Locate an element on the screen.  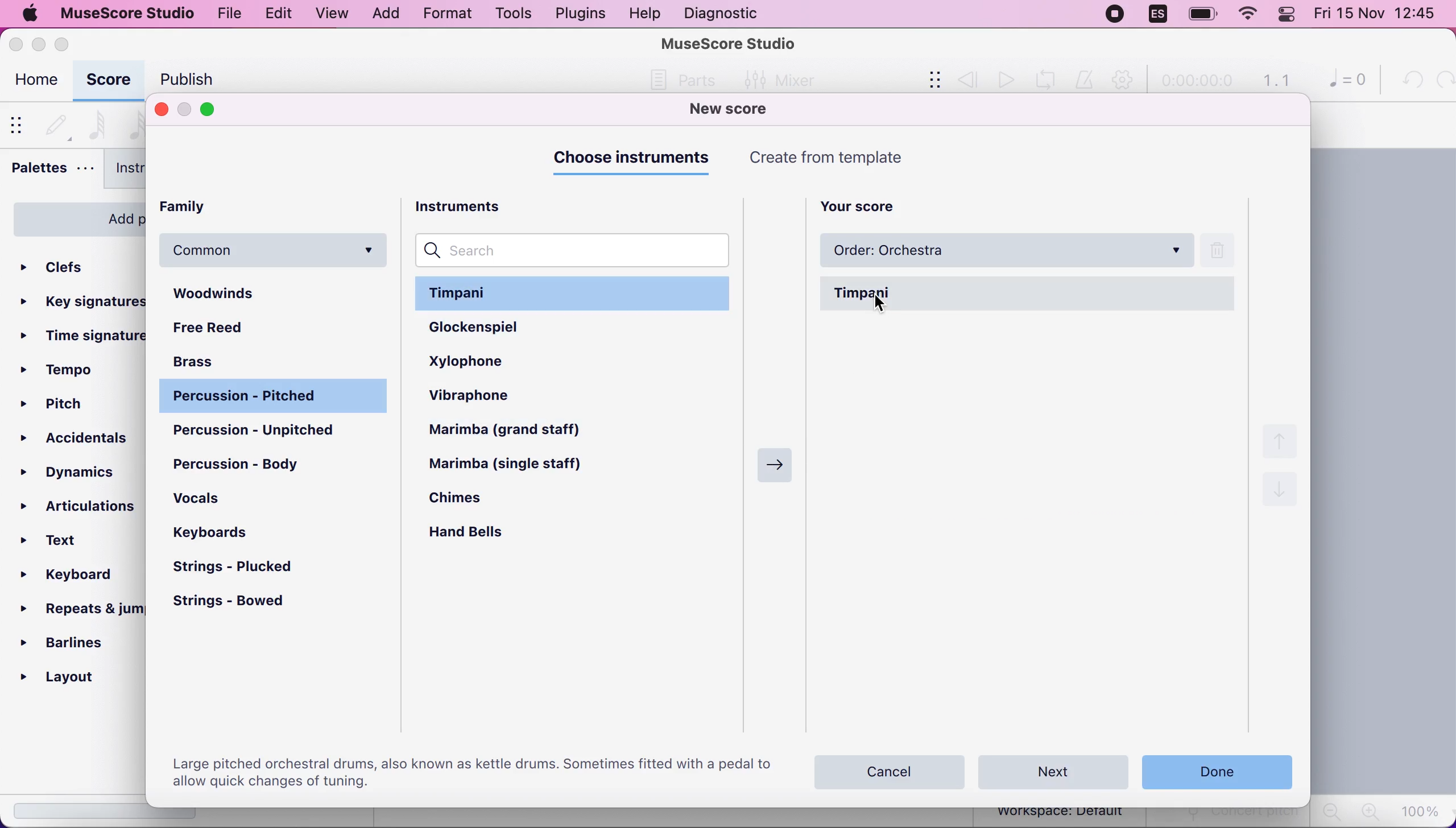
instruments is located at coordinates (473, 205).